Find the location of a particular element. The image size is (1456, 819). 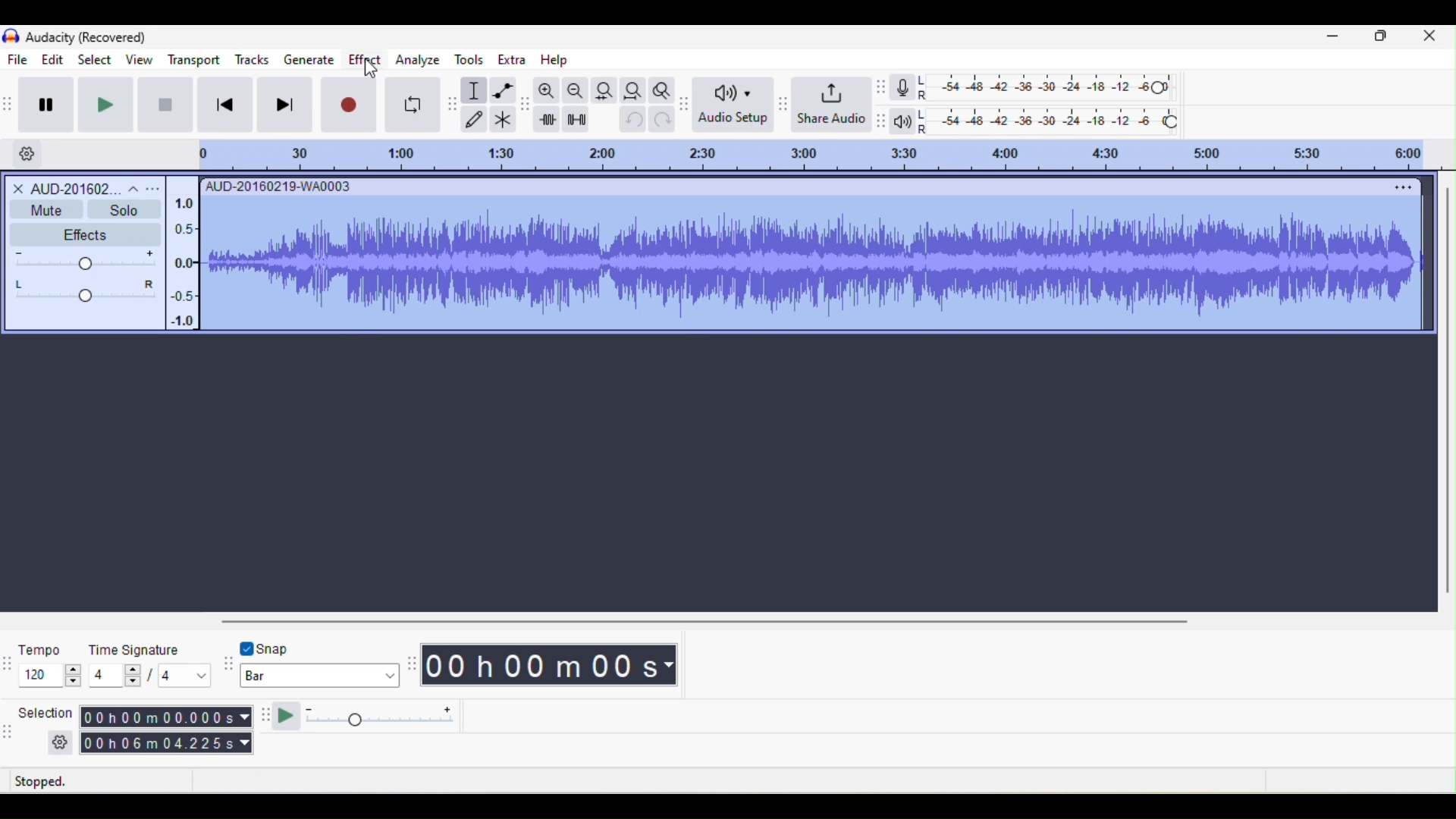

waveform is located at coordinates (813, 265).